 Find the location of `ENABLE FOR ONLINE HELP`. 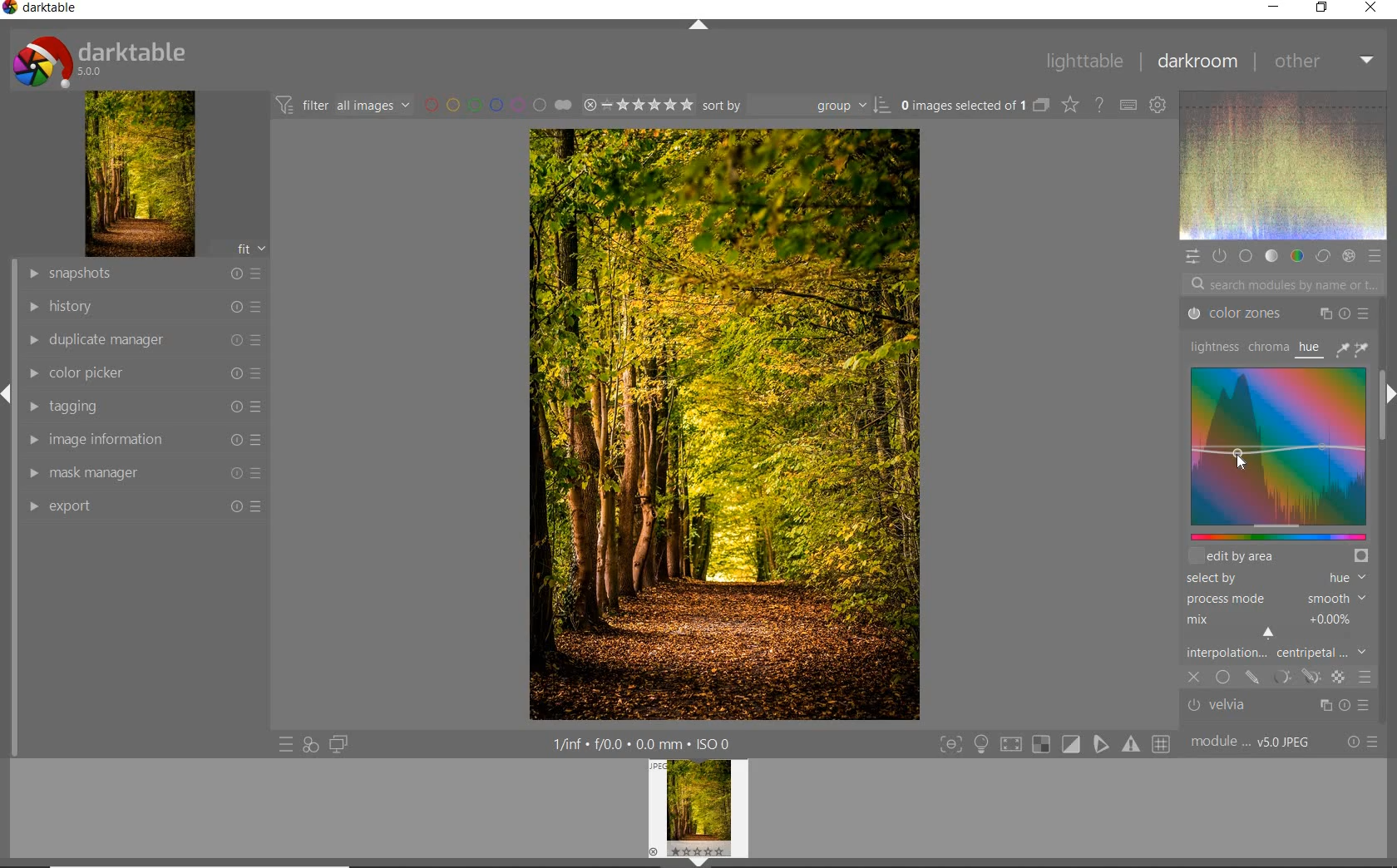

ENABLE FOR ONLINE HELP is located at coordinates (1098, 105).